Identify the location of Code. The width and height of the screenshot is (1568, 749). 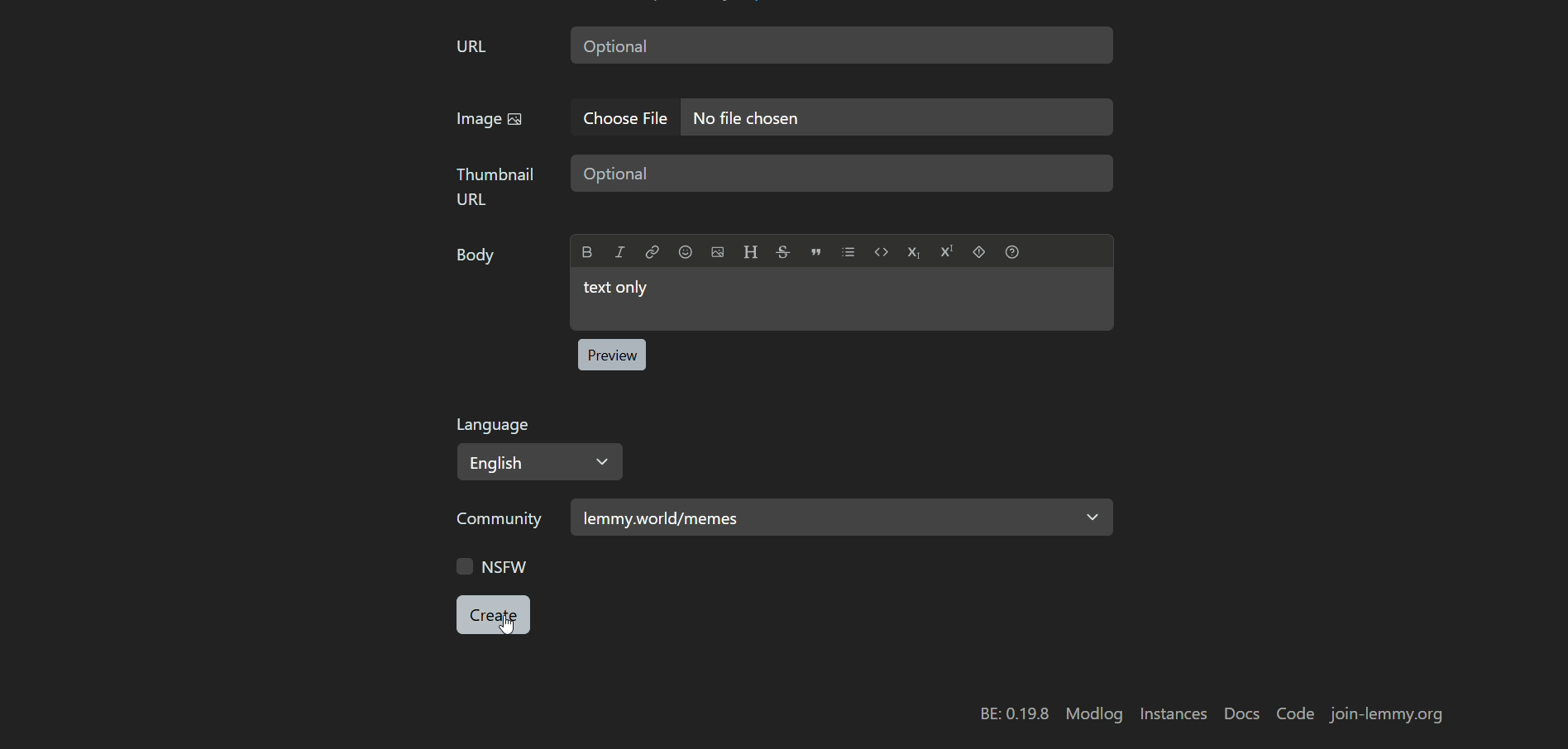
(882, 251).